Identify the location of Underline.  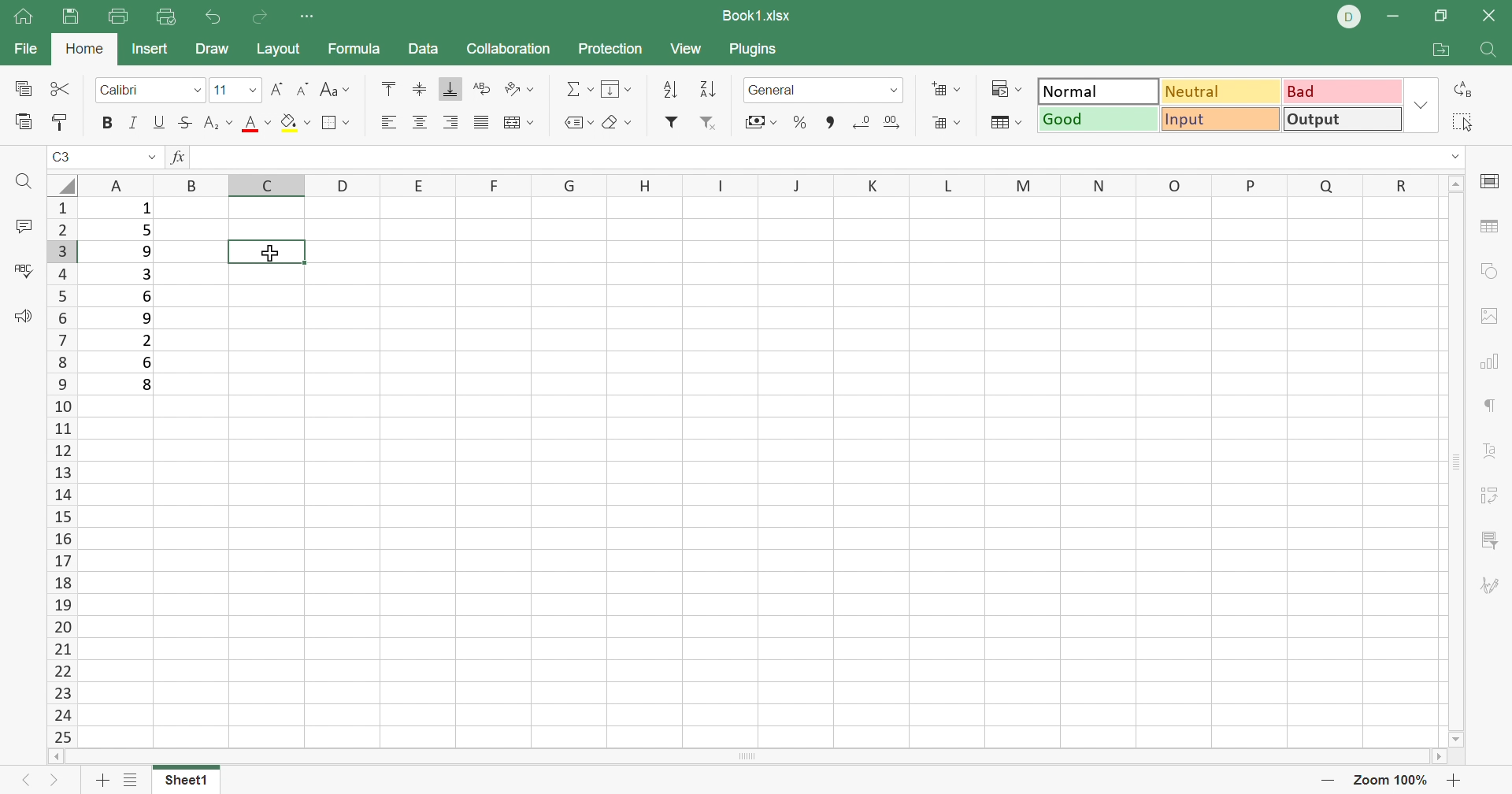
(161, 121).